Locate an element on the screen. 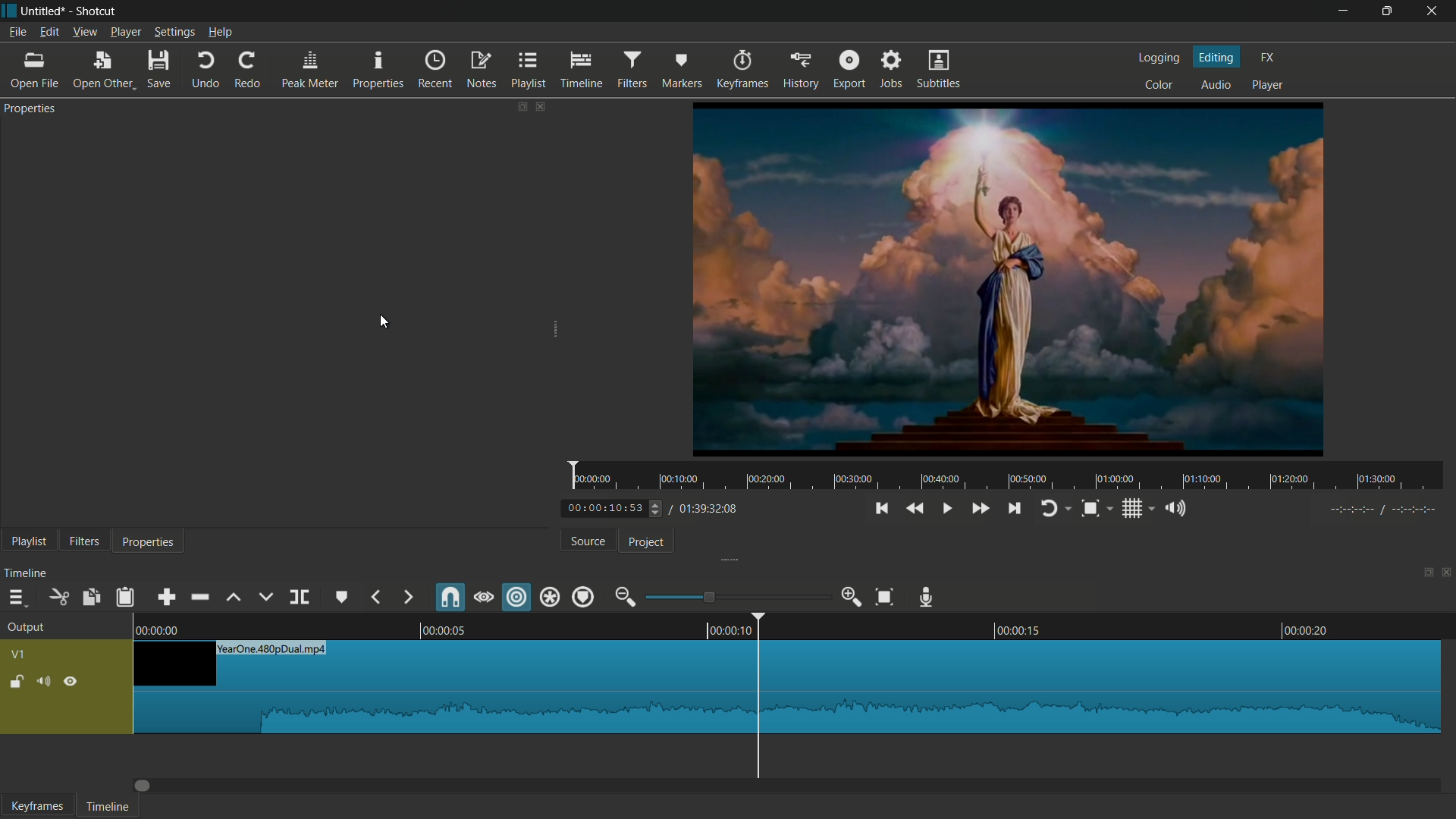 Image resolution: width=1456 pixels, height=819 pixels. zoom out is located at coordinates (622, 598).